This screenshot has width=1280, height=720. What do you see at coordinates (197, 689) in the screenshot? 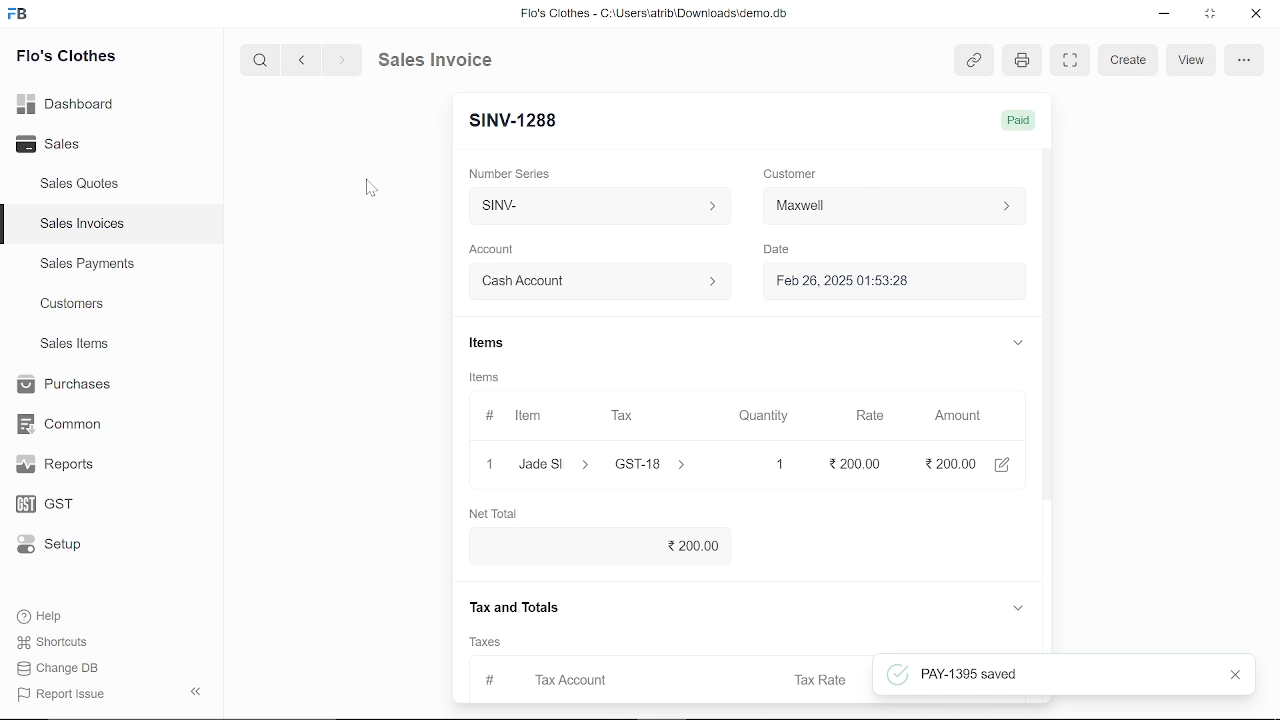
I see `hide` at bounding box center [197, 689].